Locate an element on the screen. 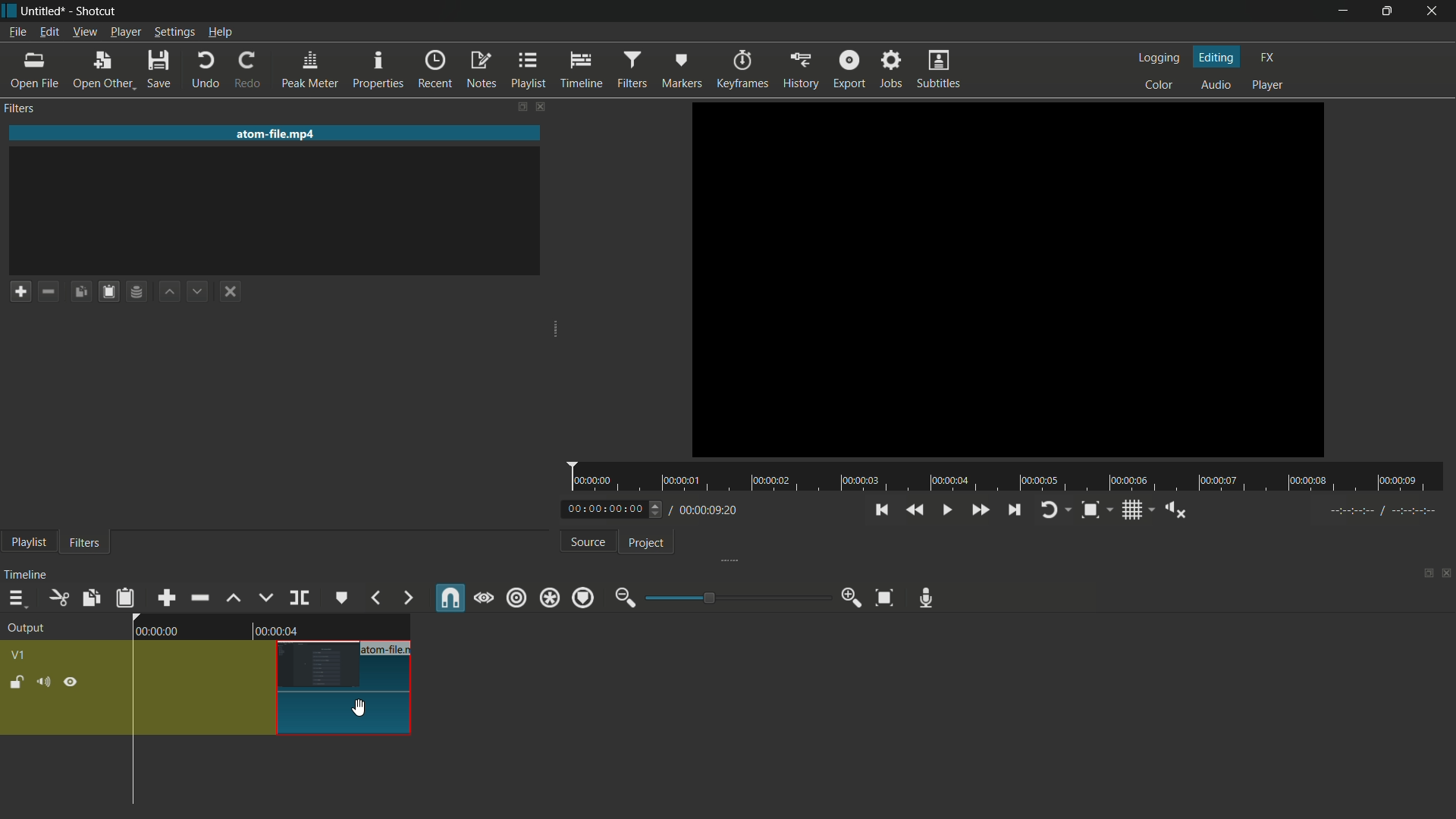 The height and width of the screenshot is (819, 1456). quickly play backward is located at coordinates (915, 510).